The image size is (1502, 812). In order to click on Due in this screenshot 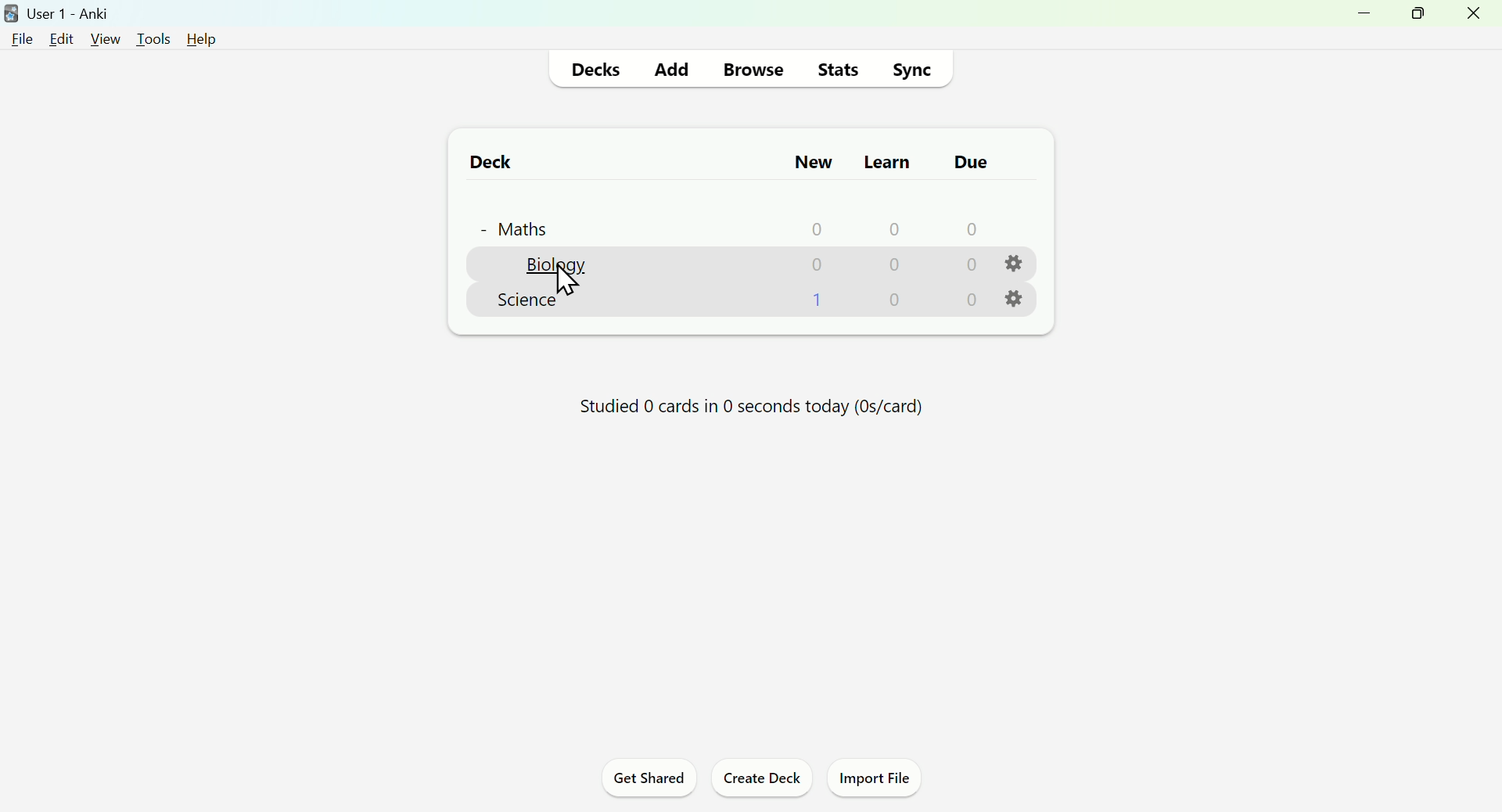, I will do `click(966, 162)`.